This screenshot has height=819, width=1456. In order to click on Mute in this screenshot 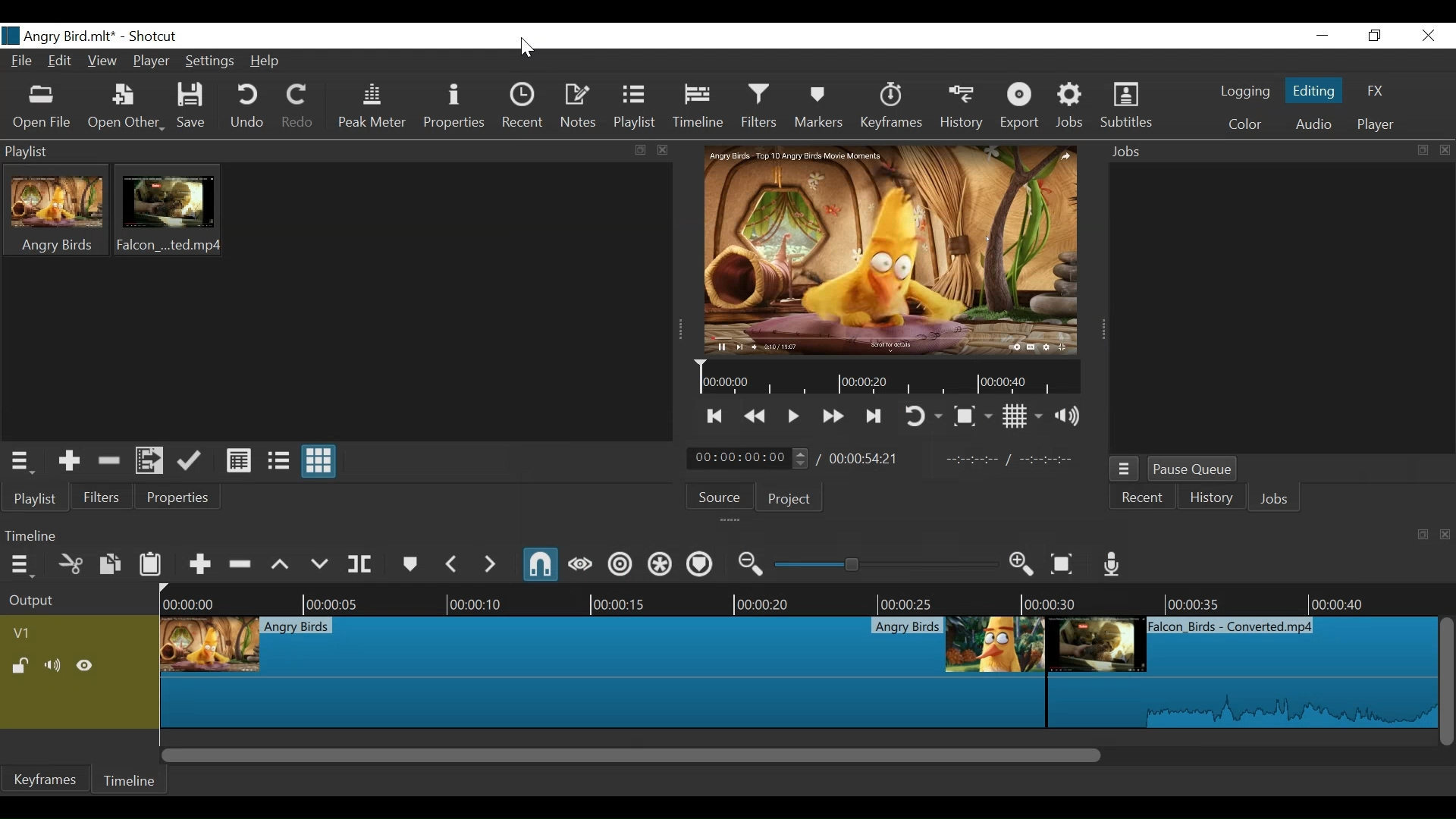, I will do `click(54, 665)`.